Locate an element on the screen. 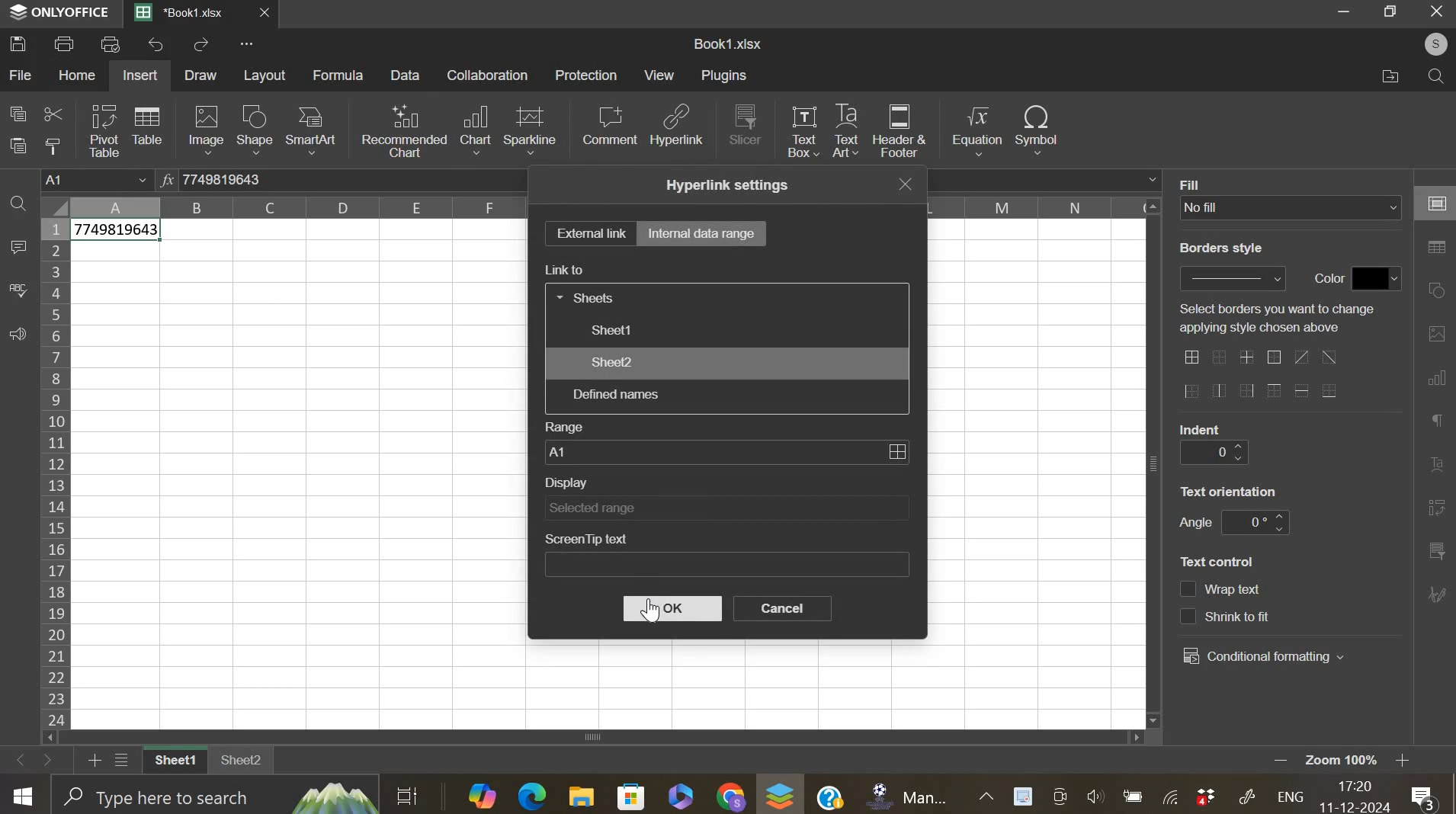 The height and width of the screenshot is (814, 1456). spelling is located at coordinates (18, 290).